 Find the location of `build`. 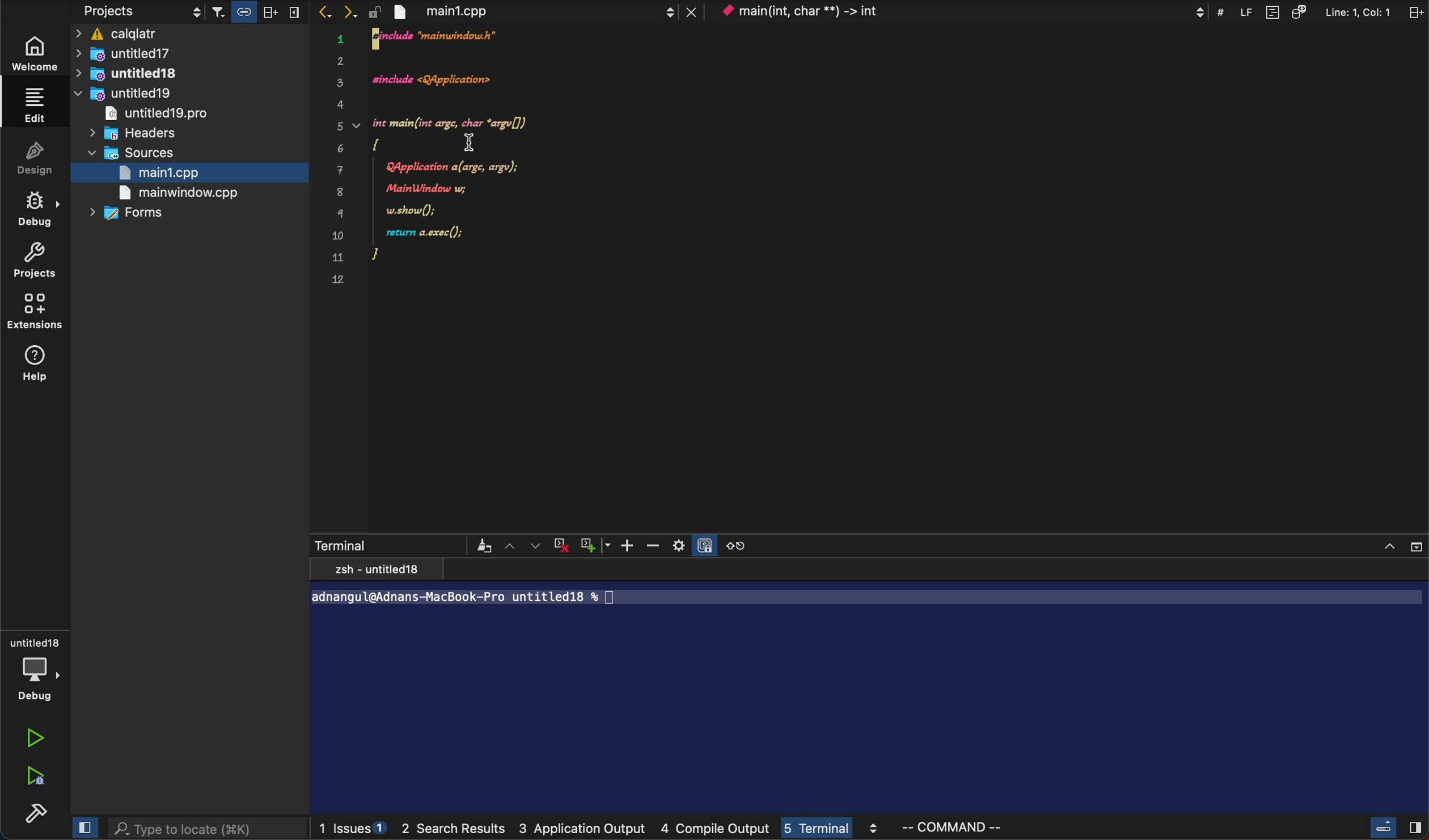

build is located at coordinates (33, 812).